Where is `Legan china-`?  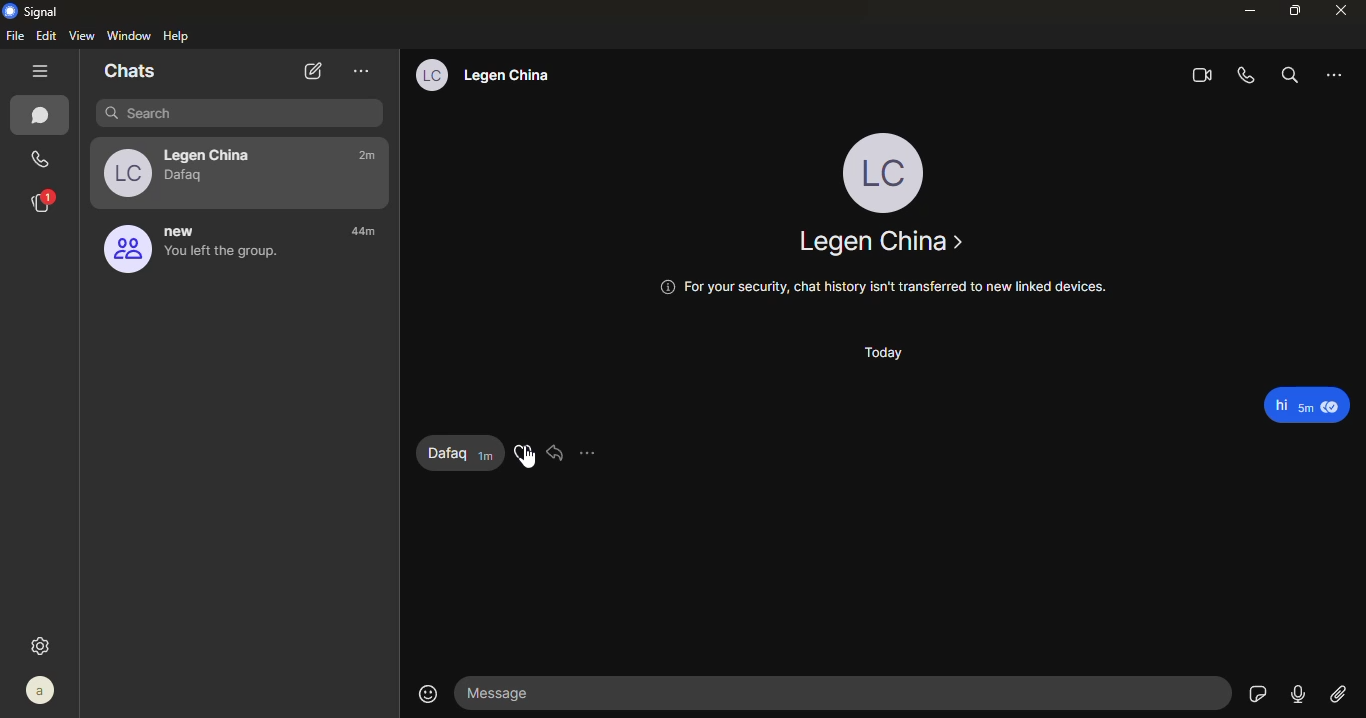
Legan china- is located at coordinates (213, 151).